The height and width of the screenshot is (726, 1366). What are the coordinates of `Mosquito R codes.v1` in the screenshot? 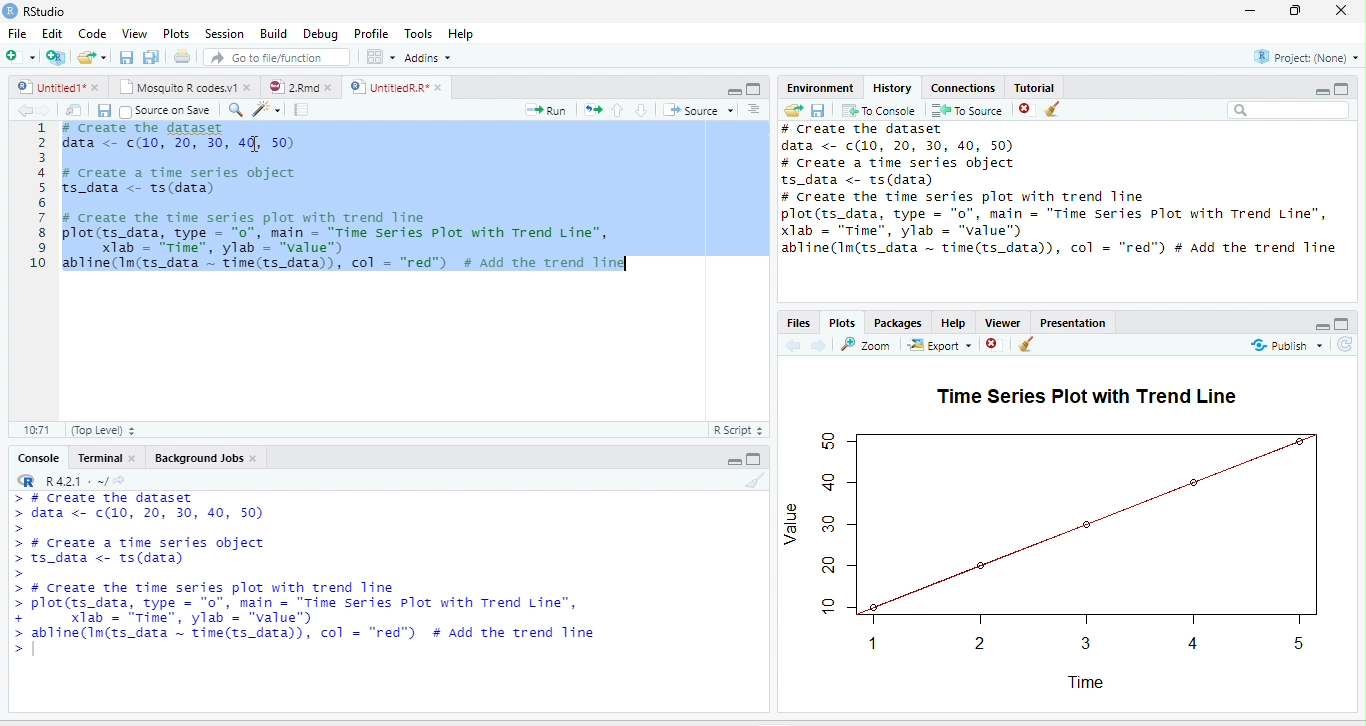 It's located at (176, 87).